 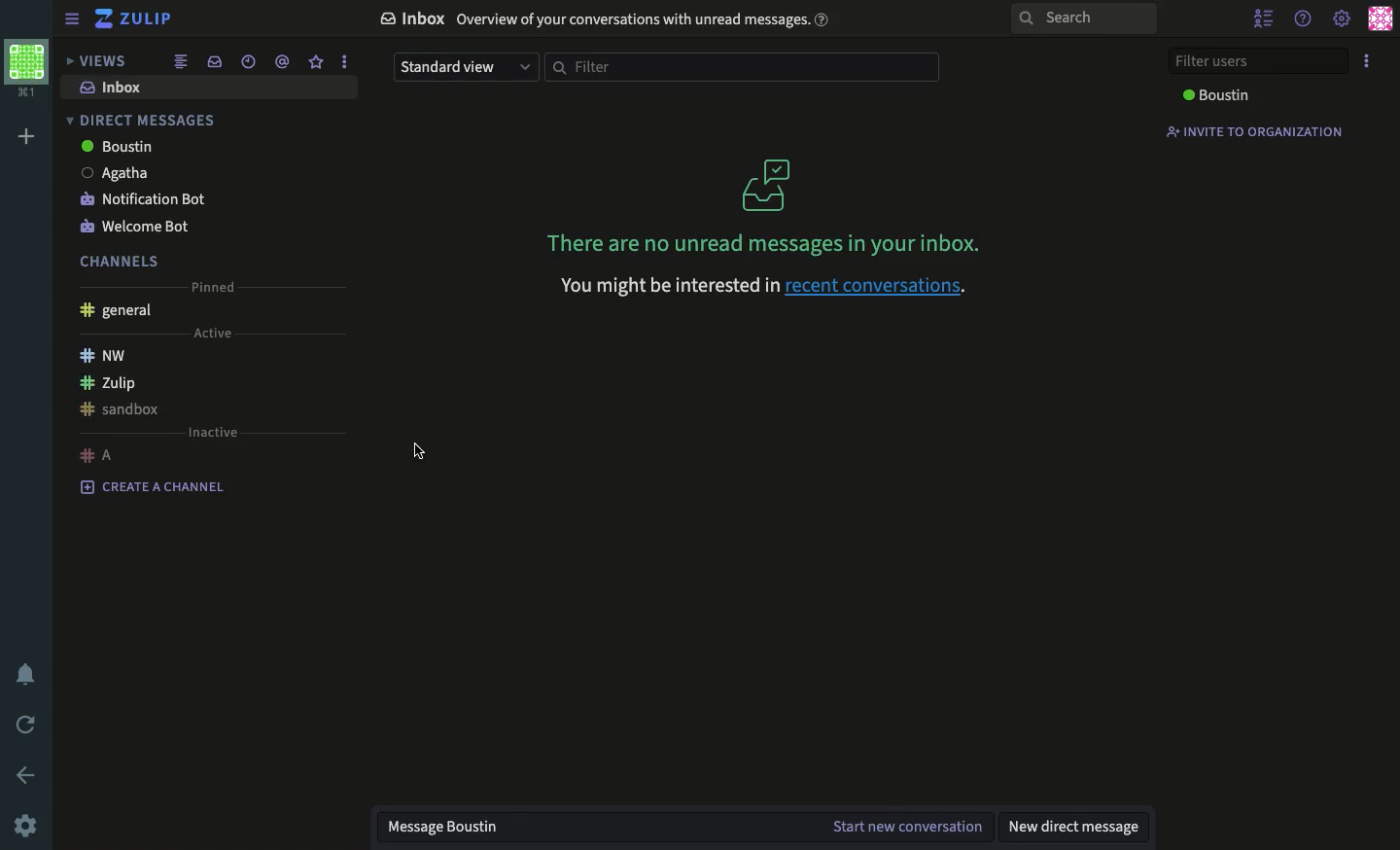 What do you see at coordinates (1251, 130) in the screenshot?
I see `invite to organization` at bounding box center [1251, 130].